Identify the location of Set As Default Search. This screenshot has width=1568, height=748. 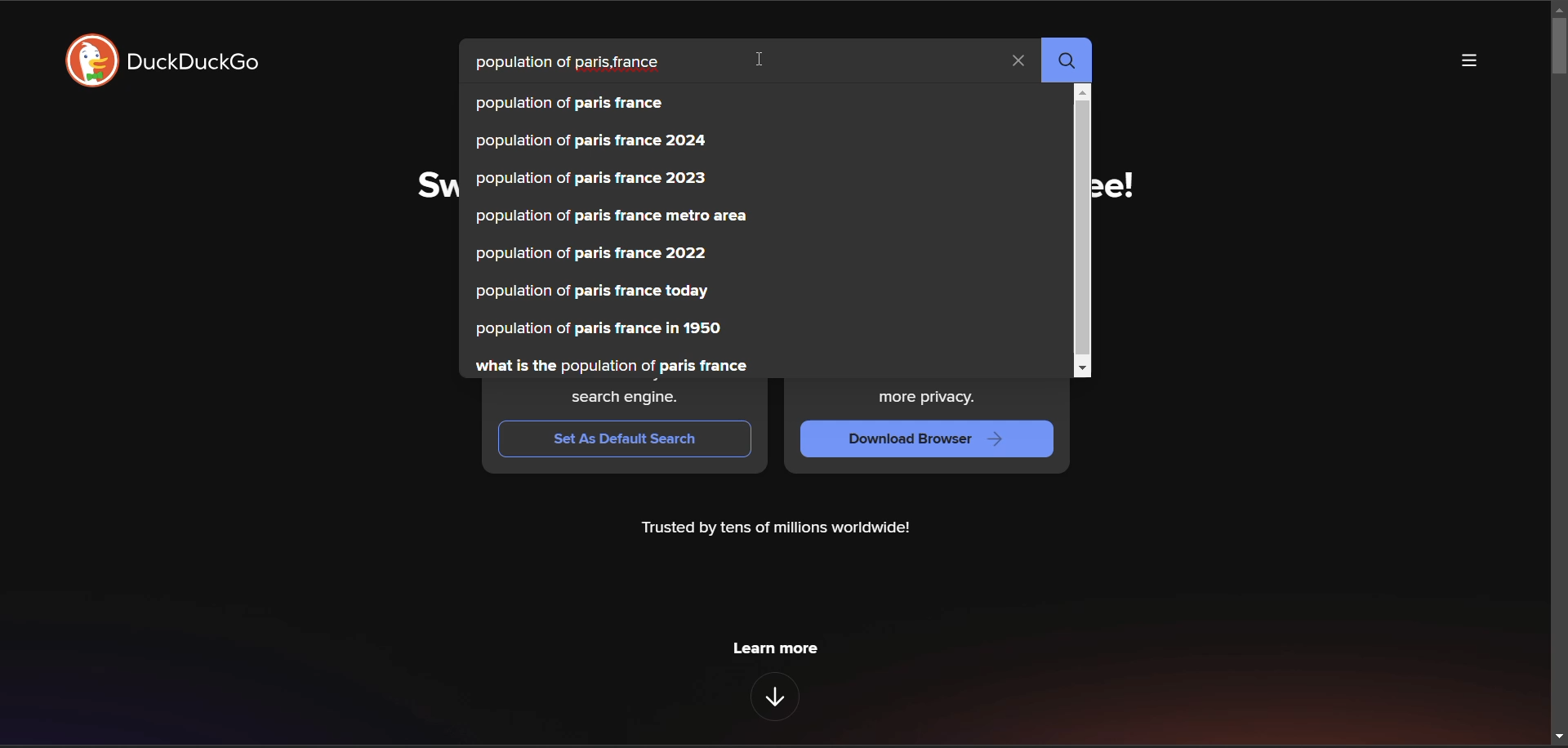
(624, 439).